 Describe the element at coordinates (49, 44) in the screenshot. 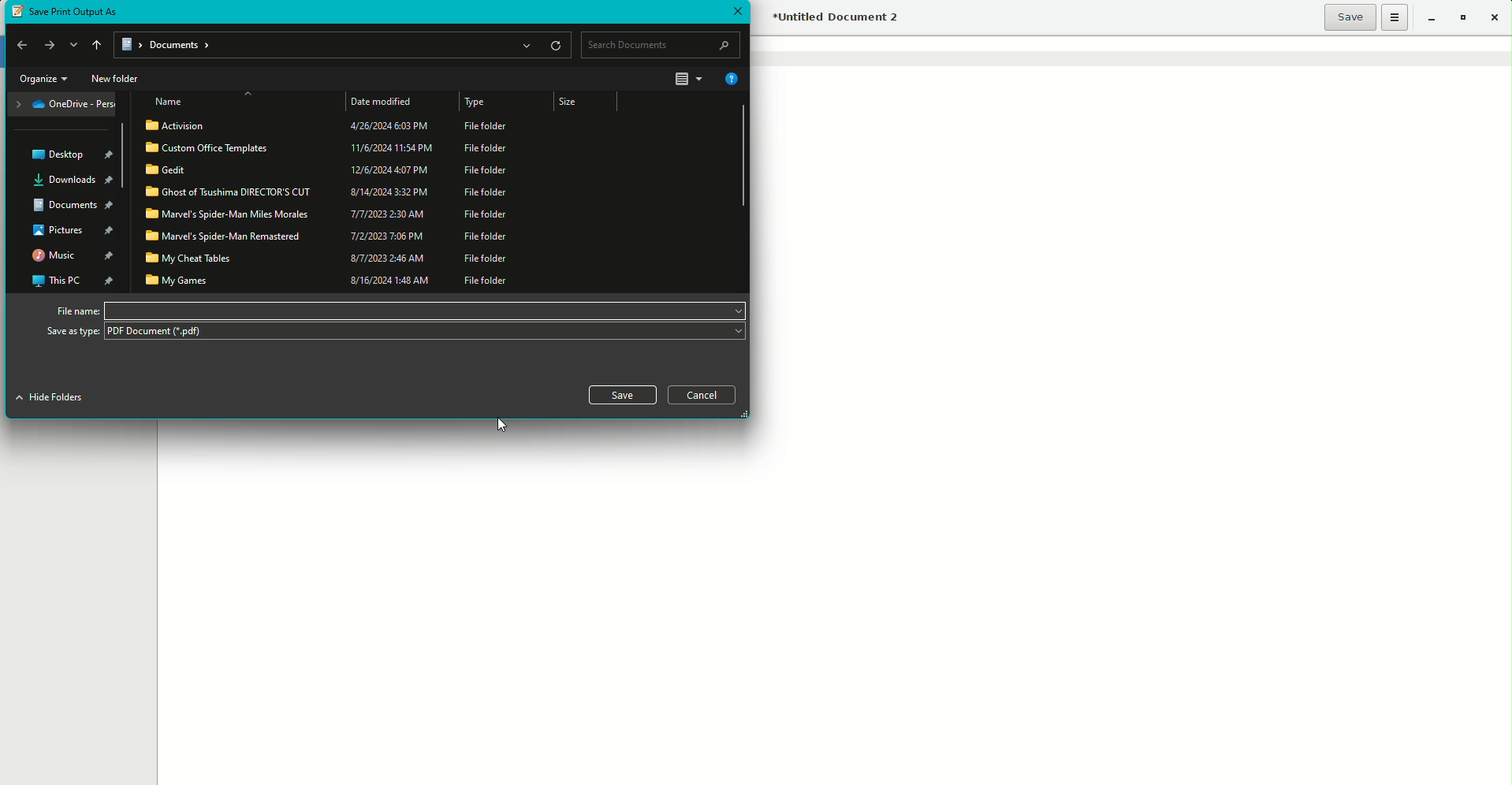

I see `Forward` at that location.